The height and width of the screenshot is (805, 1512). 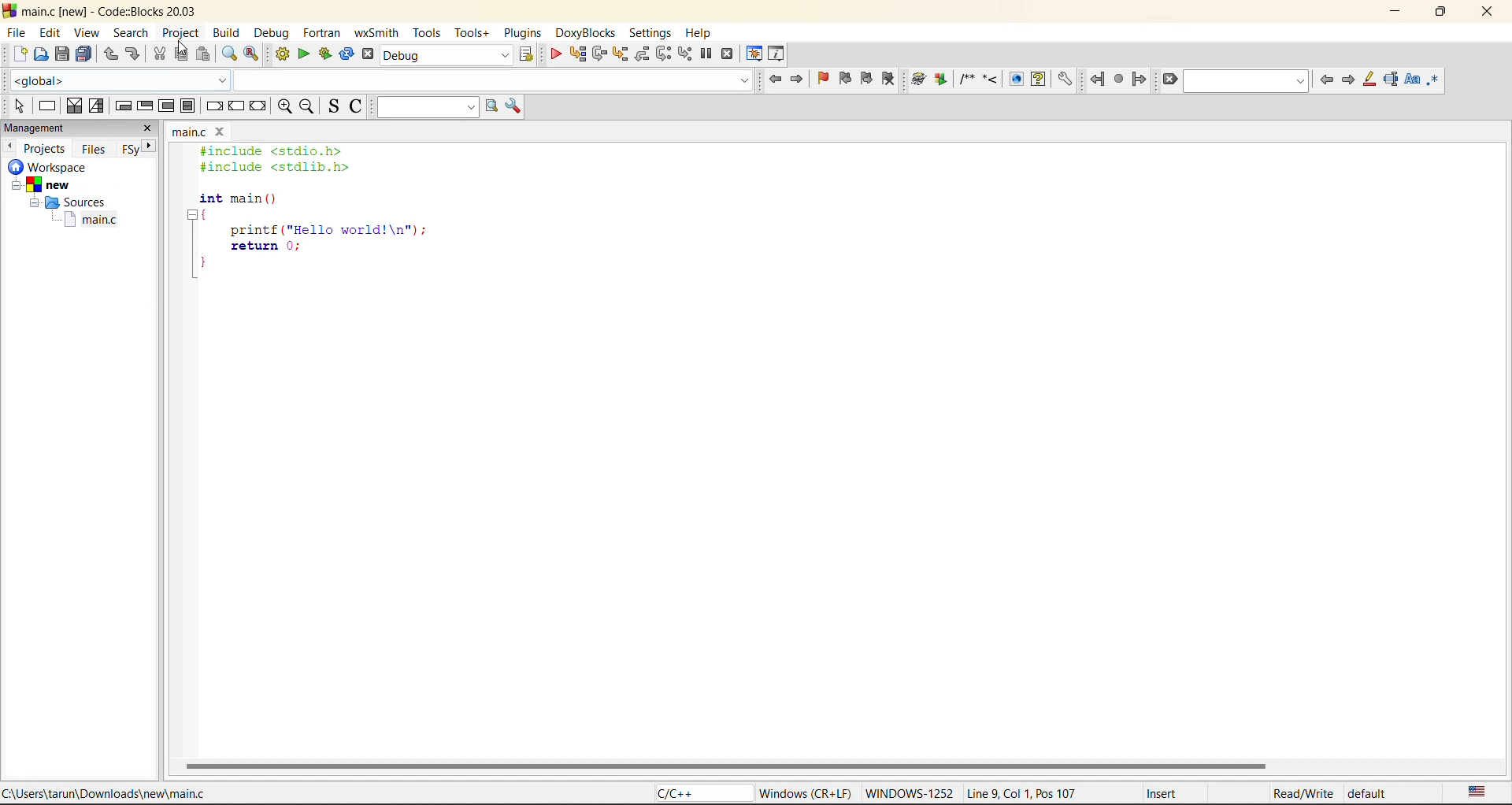 What do you see at coordinates (685, 54) in the screenshot?
I see `step into instruction` at bounding box center [685, 54].